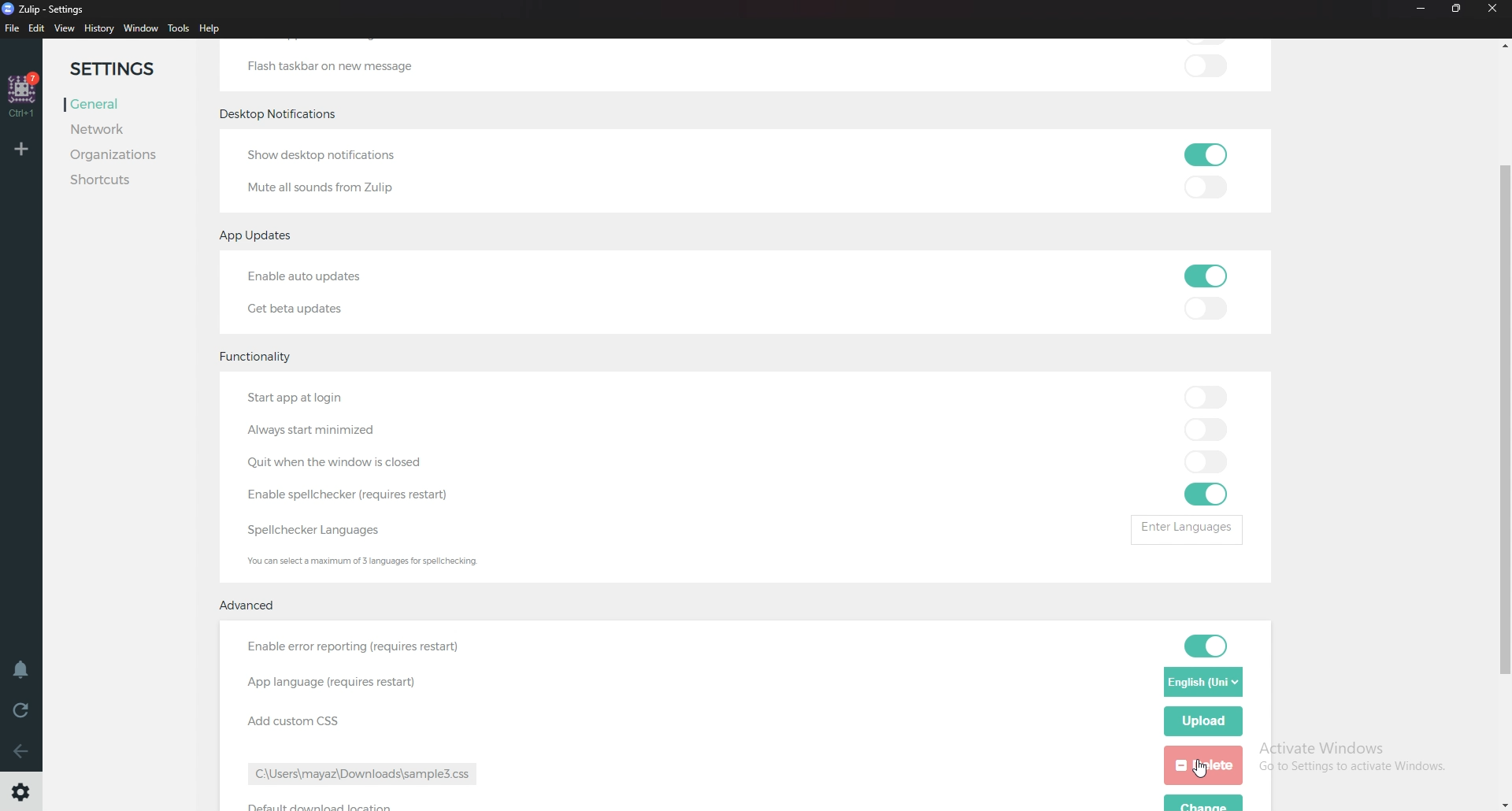 The image size is (1512, 811). Describe the element at coordinates (329, 65) in the screenshot. I see `Flash taskbar on new message` at that location.